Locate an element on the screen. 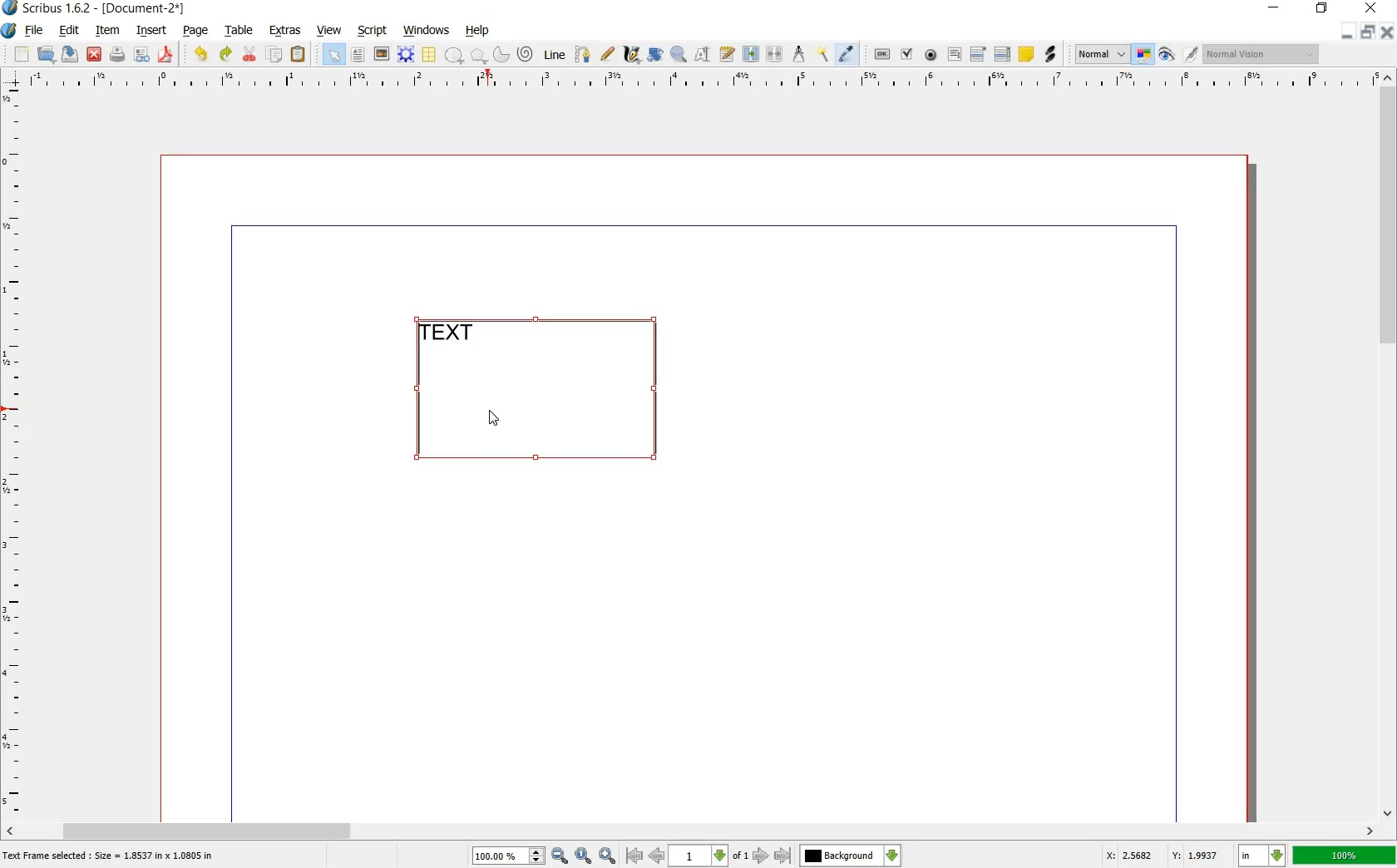  go to previous or first page is located at coordinates (644, 856).